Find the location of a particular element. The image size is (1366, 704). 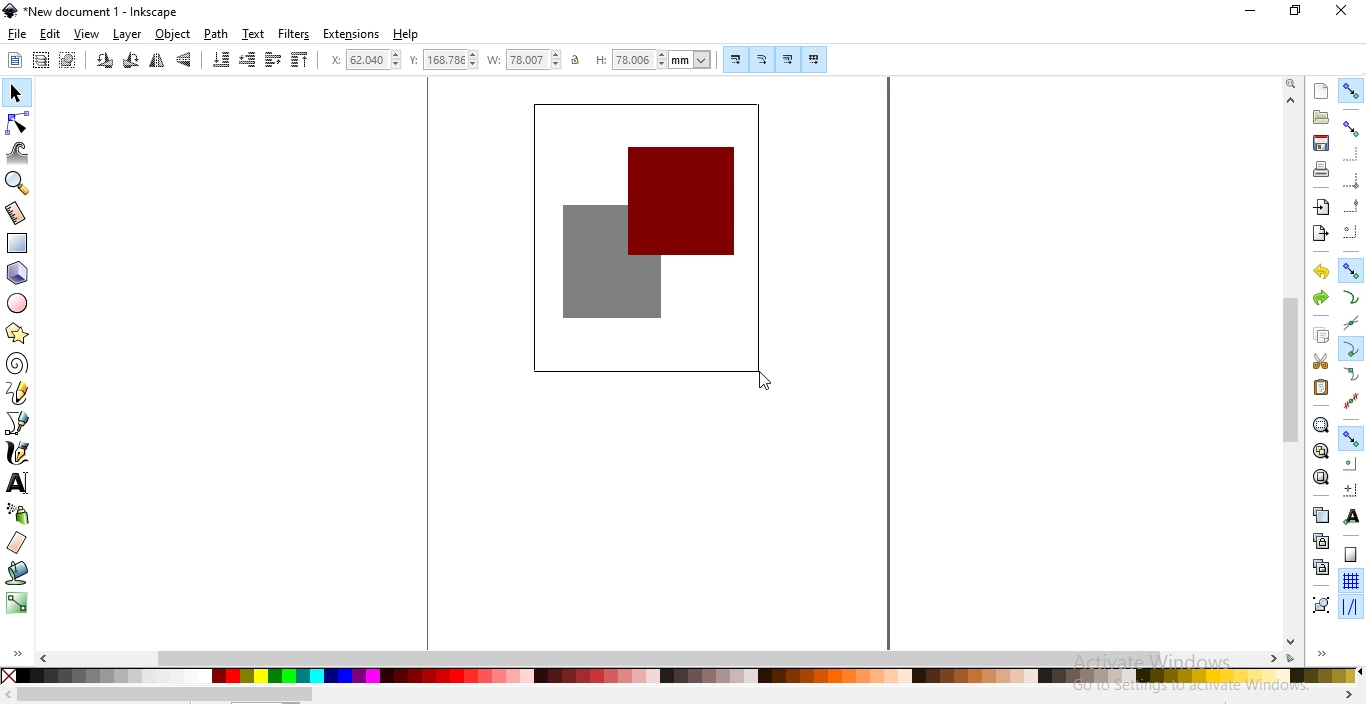

cut is located at coordinates (1320, 362).